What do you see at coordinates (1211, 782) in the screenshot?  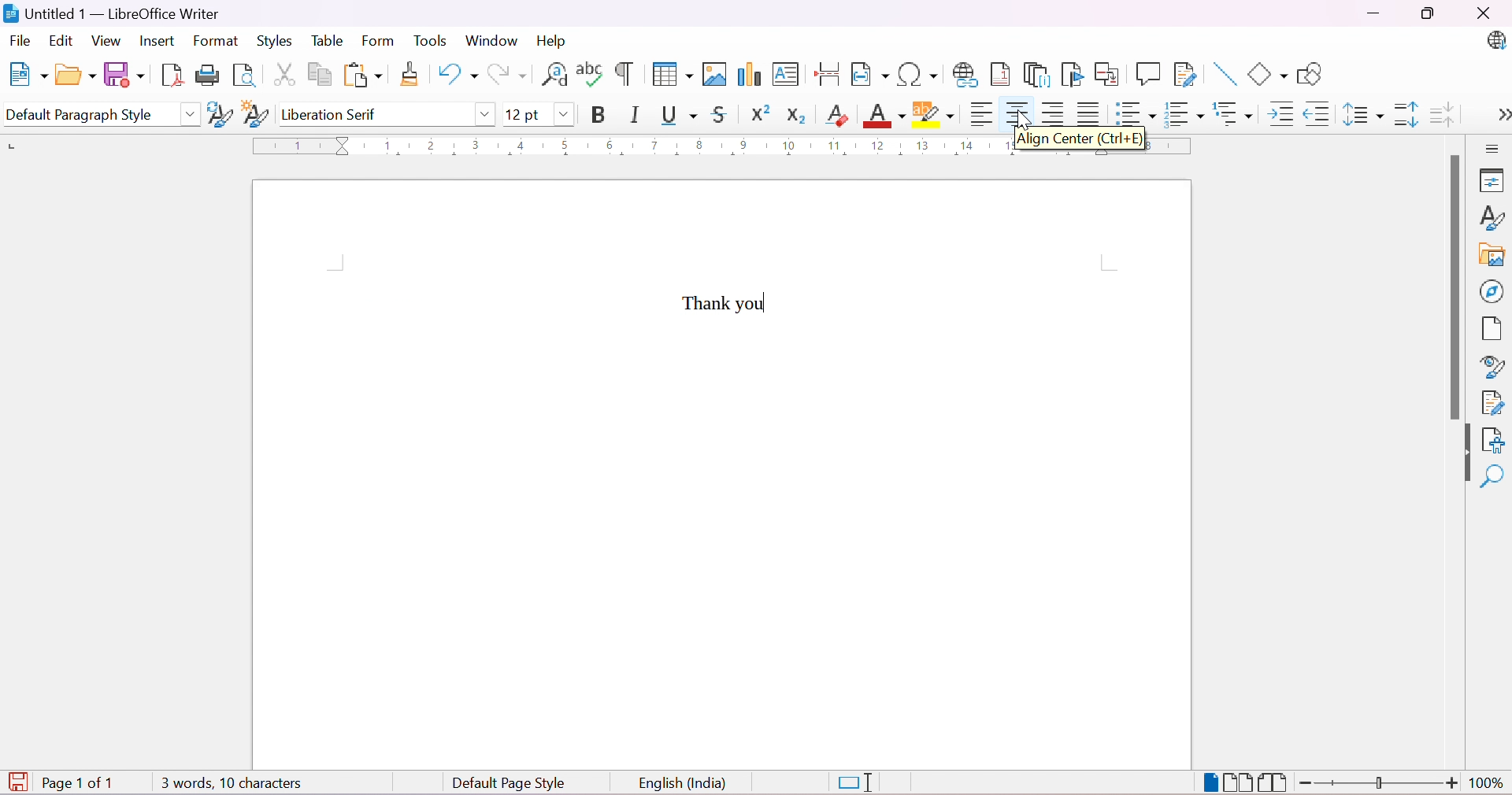 I see `Single-page View` at bounding box center [1211, 782].